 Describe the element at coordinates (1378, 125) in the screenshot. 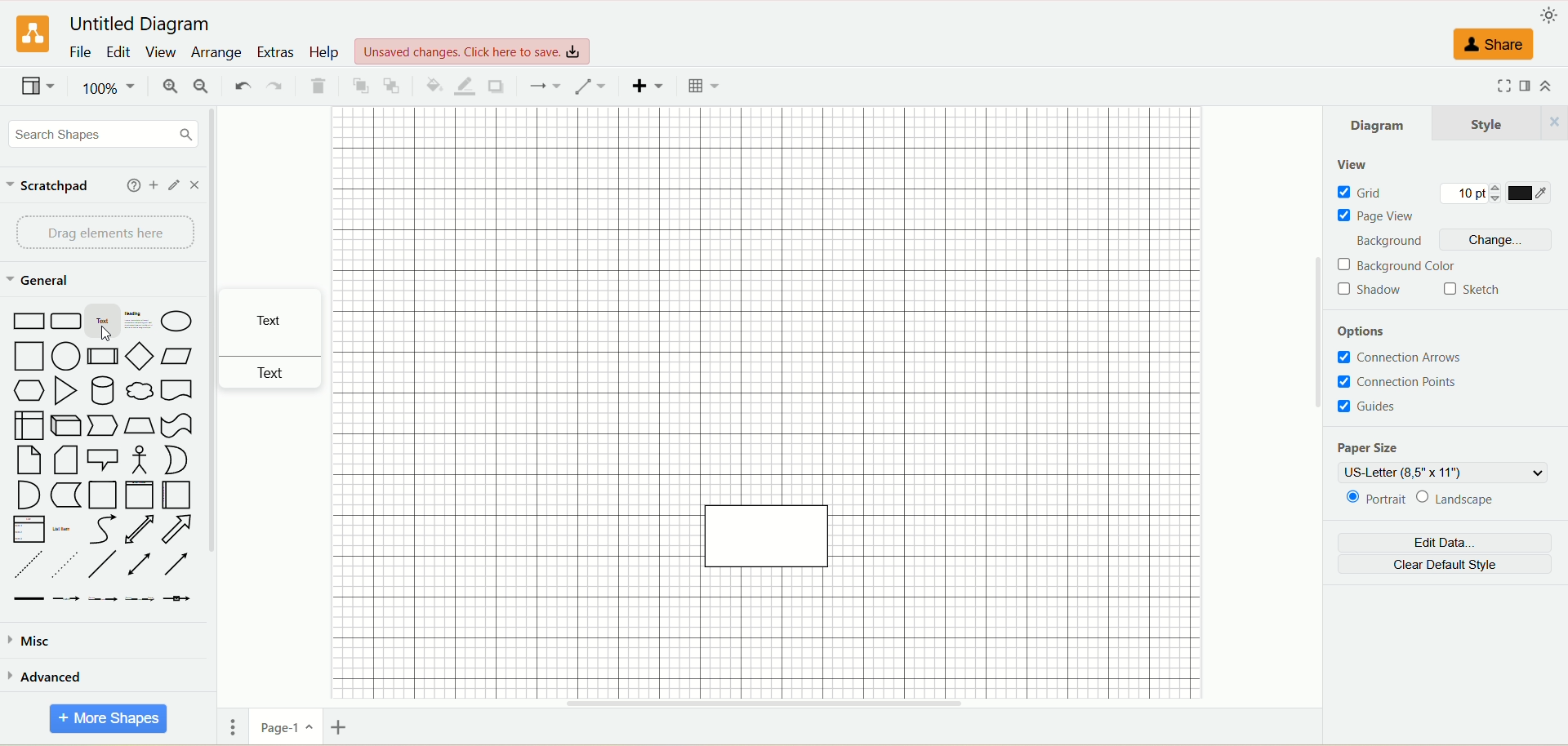

I see `diagram` at that location.